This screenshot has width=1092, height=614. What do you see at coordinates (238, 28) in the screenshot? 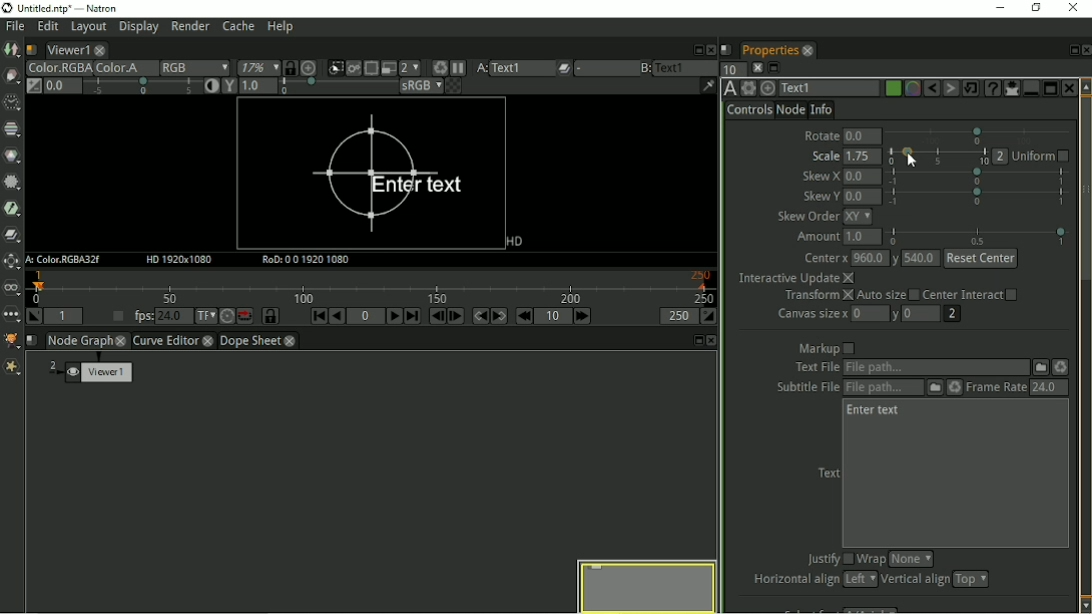
I see `Cache` at bounding box center [238, 28].